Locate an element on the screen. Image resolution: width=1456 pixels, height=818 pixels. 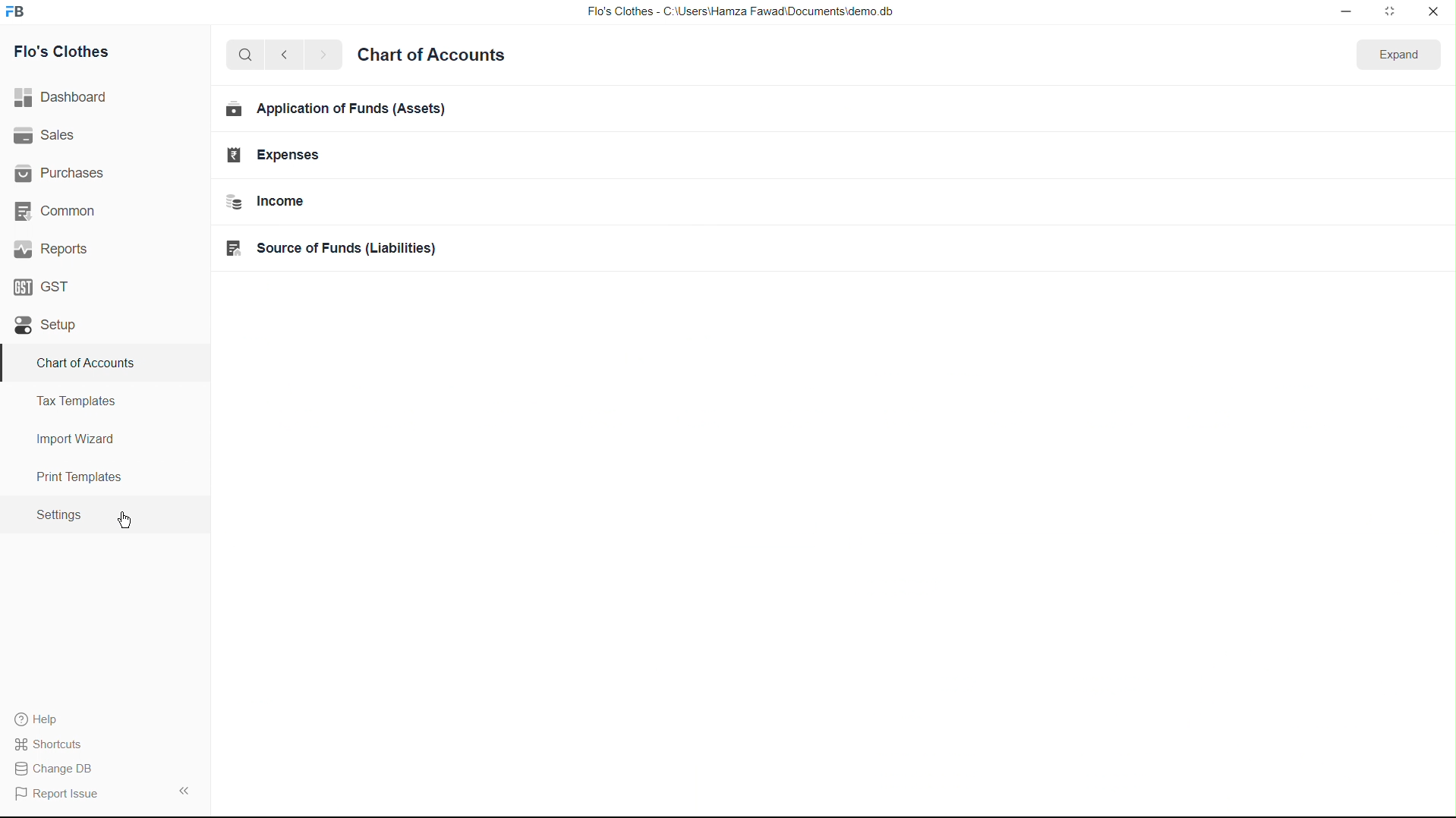
Print Templates is located at coordinates (77, 477).